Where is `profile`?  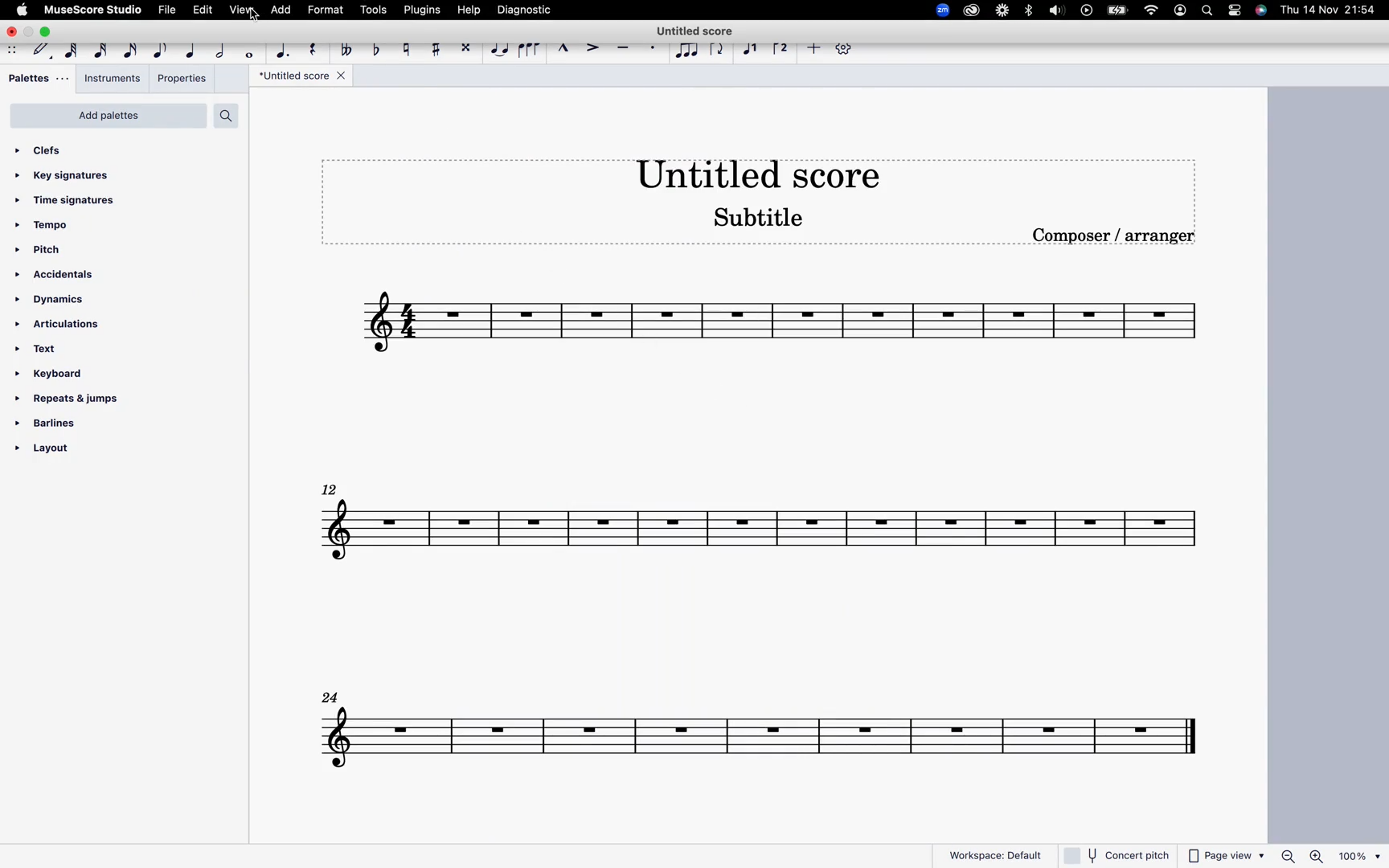
profile is located at coordinates (1181, 10).